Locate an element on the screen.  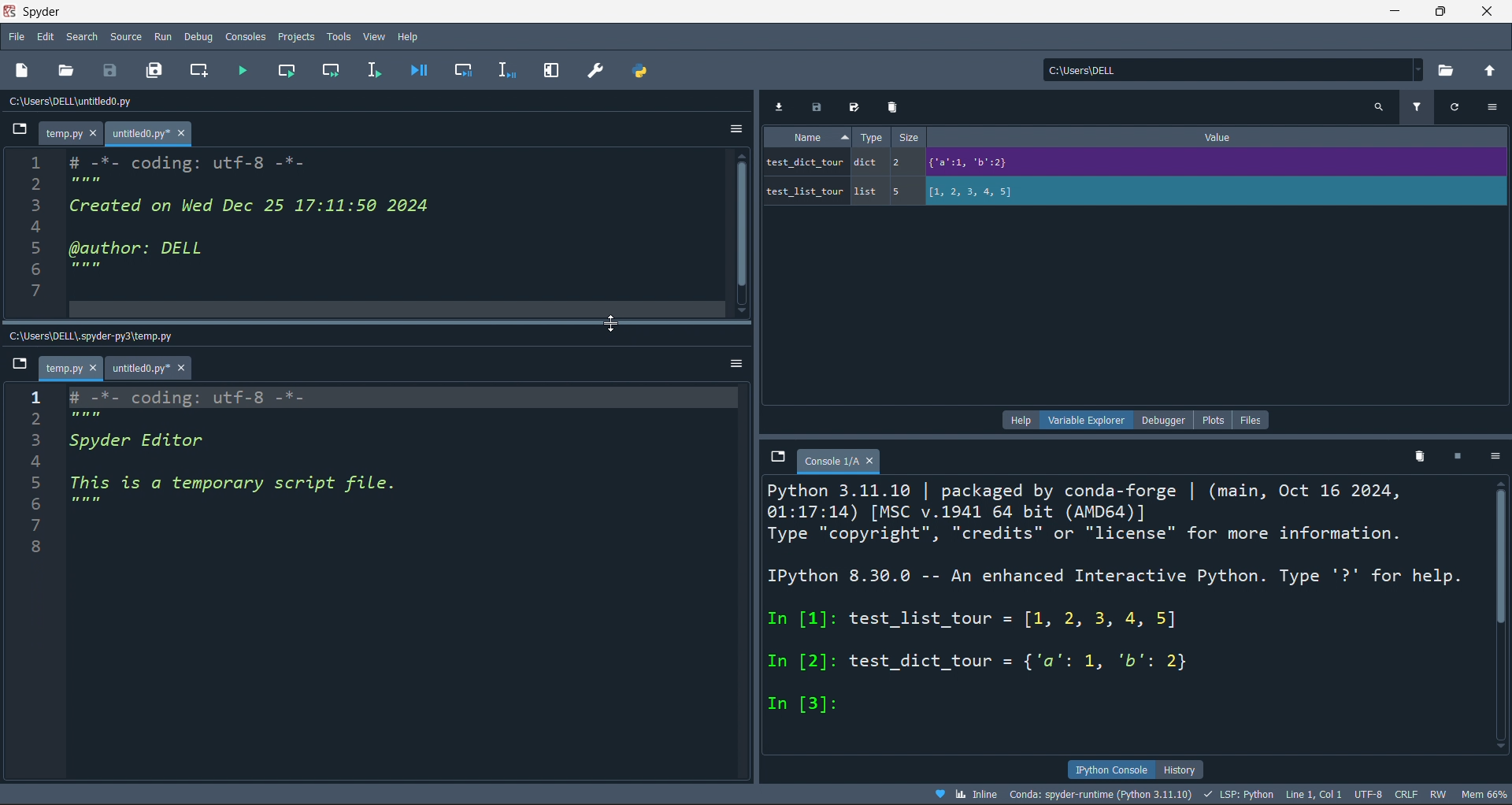
C:\Users\DELL\.spyder-py3\temp.py is located at coordinates (106, 333).